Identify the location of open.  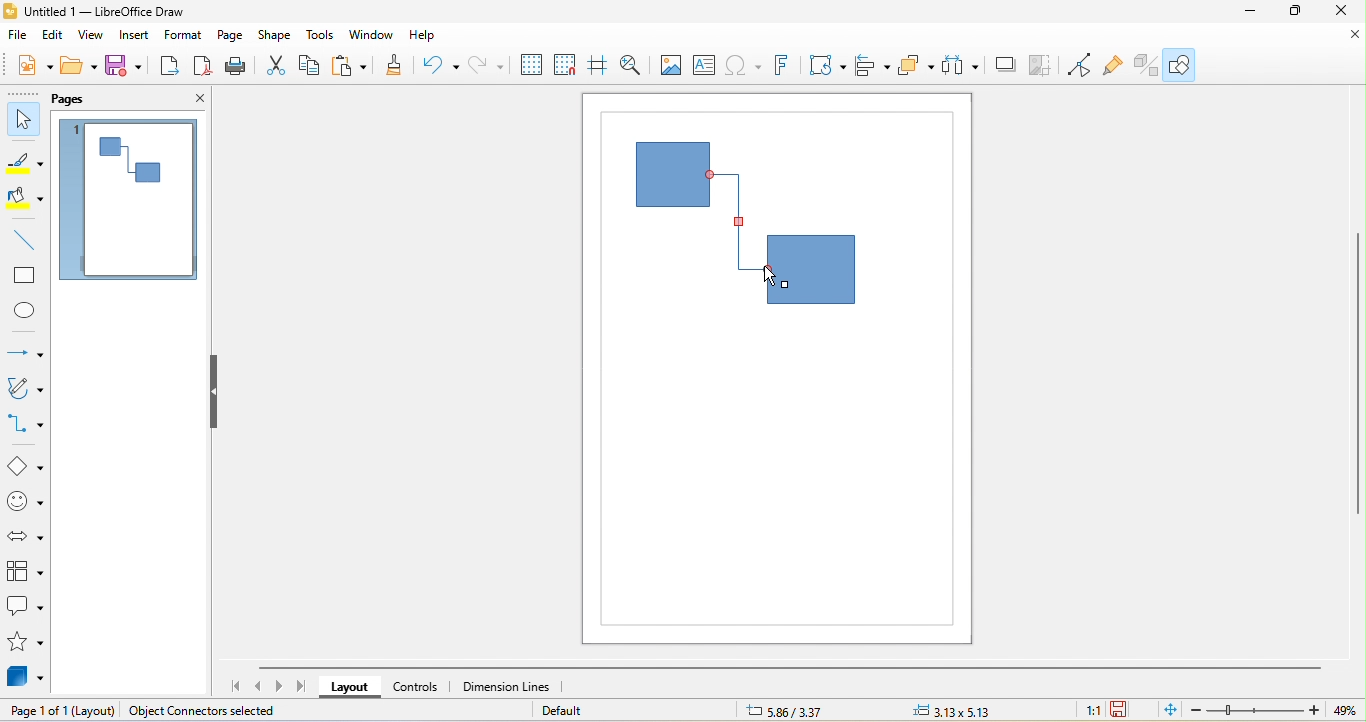
(79, 67).